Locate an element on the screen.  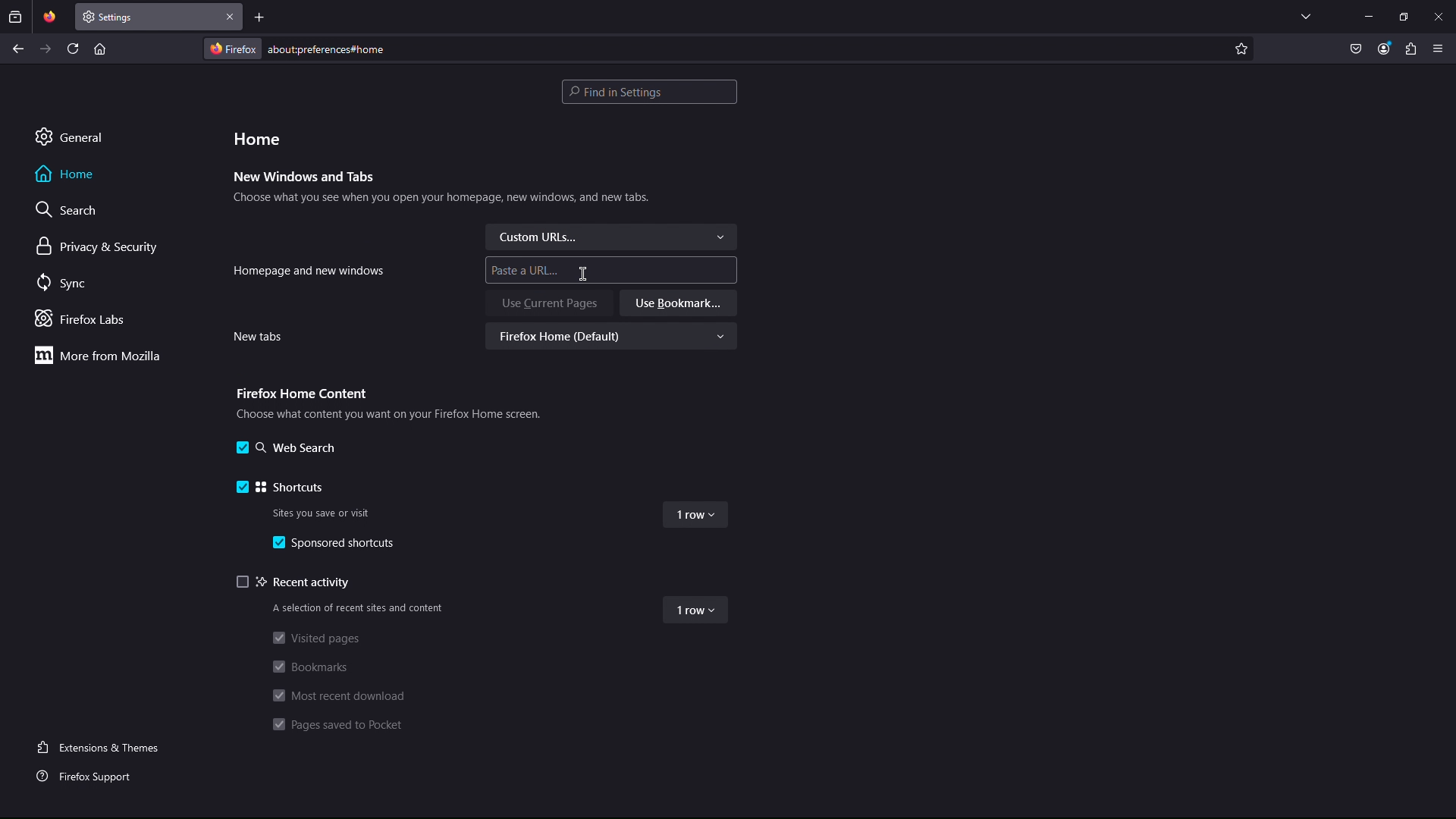
Privacy & Security is located at coordinates (98, 247).